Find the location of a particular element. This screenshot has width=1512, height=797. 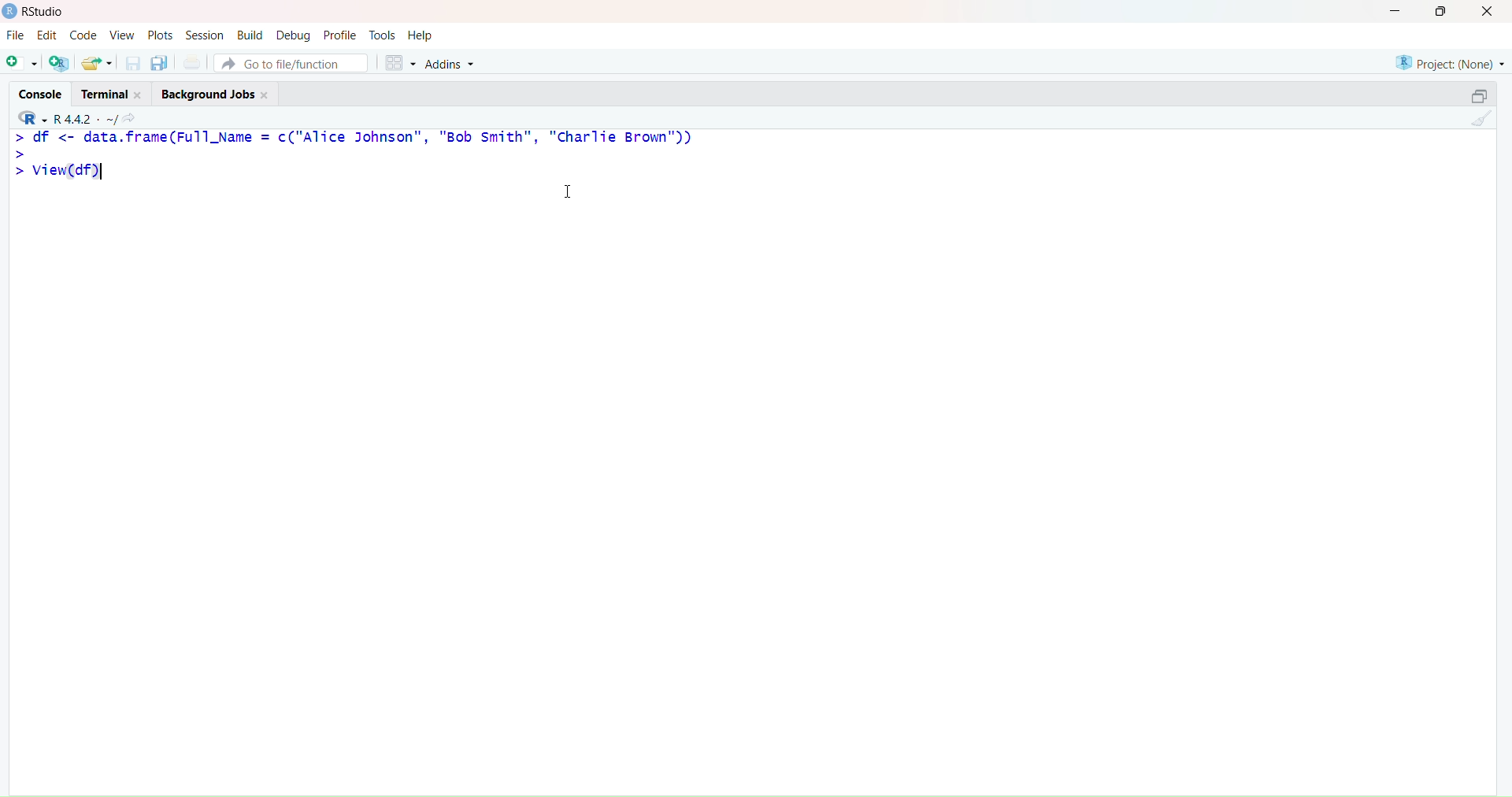

Terminal is located at coordinates (113, 91).